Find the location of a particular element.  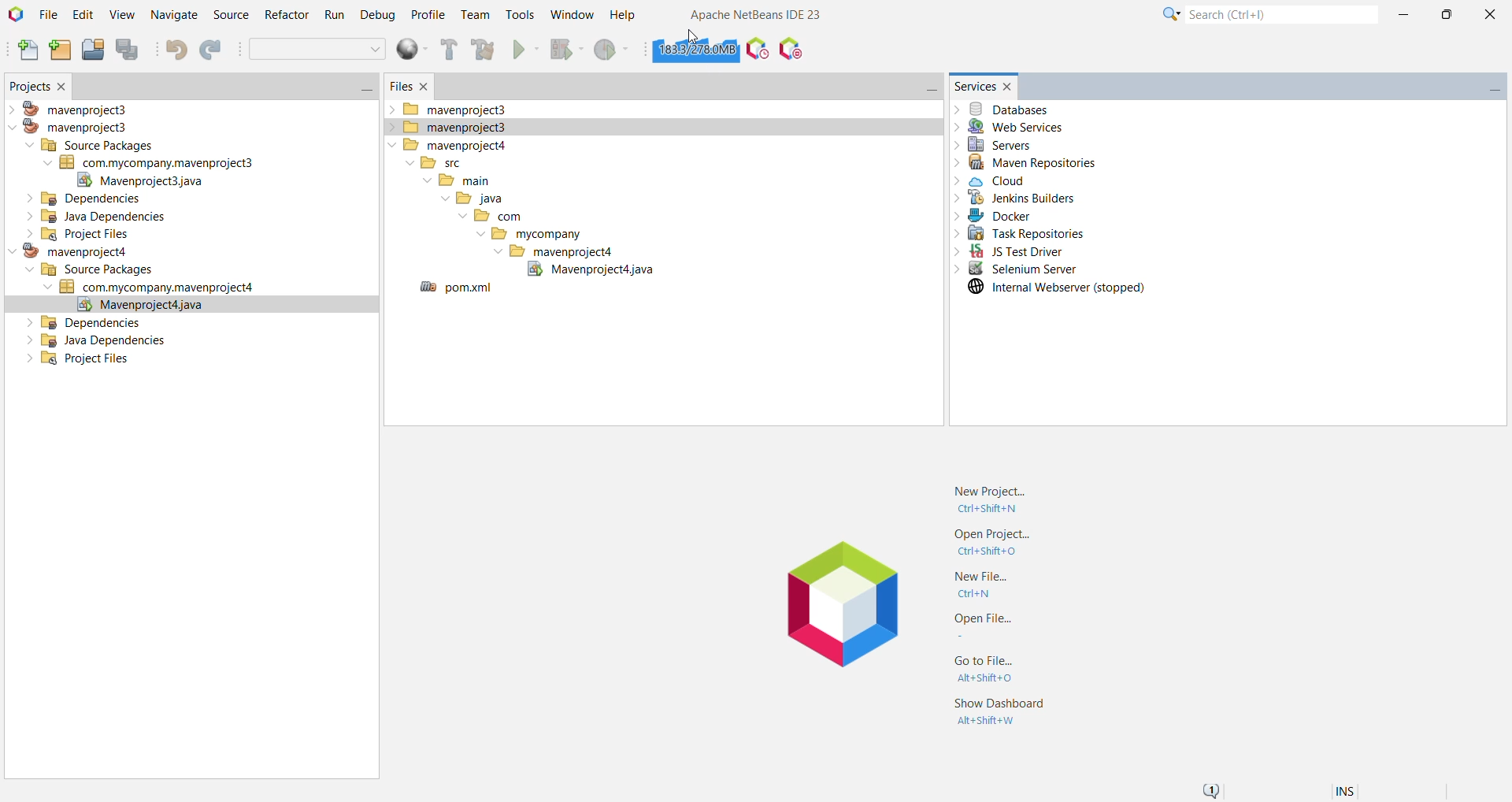

Cloud is located at coordinates (995, 181).